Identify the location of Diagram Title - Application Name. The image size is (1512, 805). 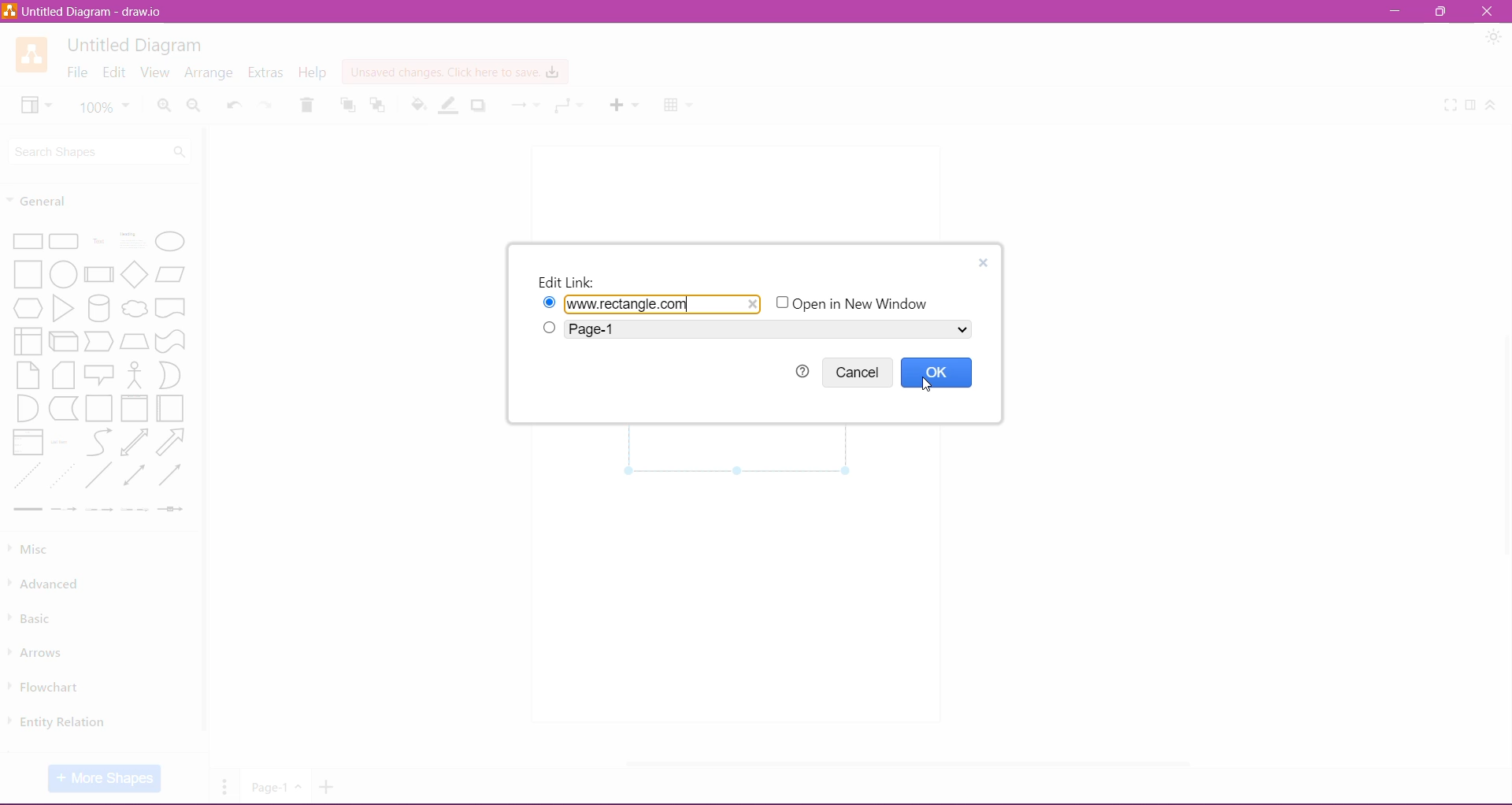
(84, 11).